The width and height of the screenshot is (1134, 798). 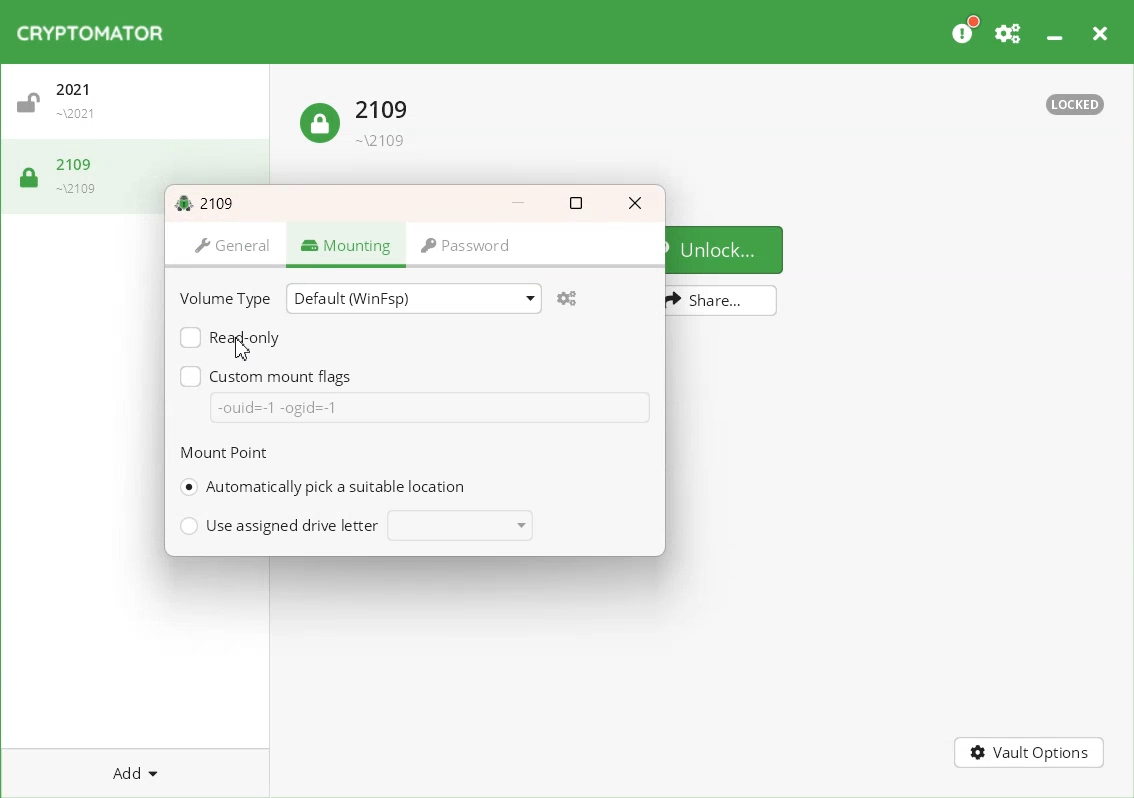 I want to click on Lock Vault, so click(x=359, y=117).